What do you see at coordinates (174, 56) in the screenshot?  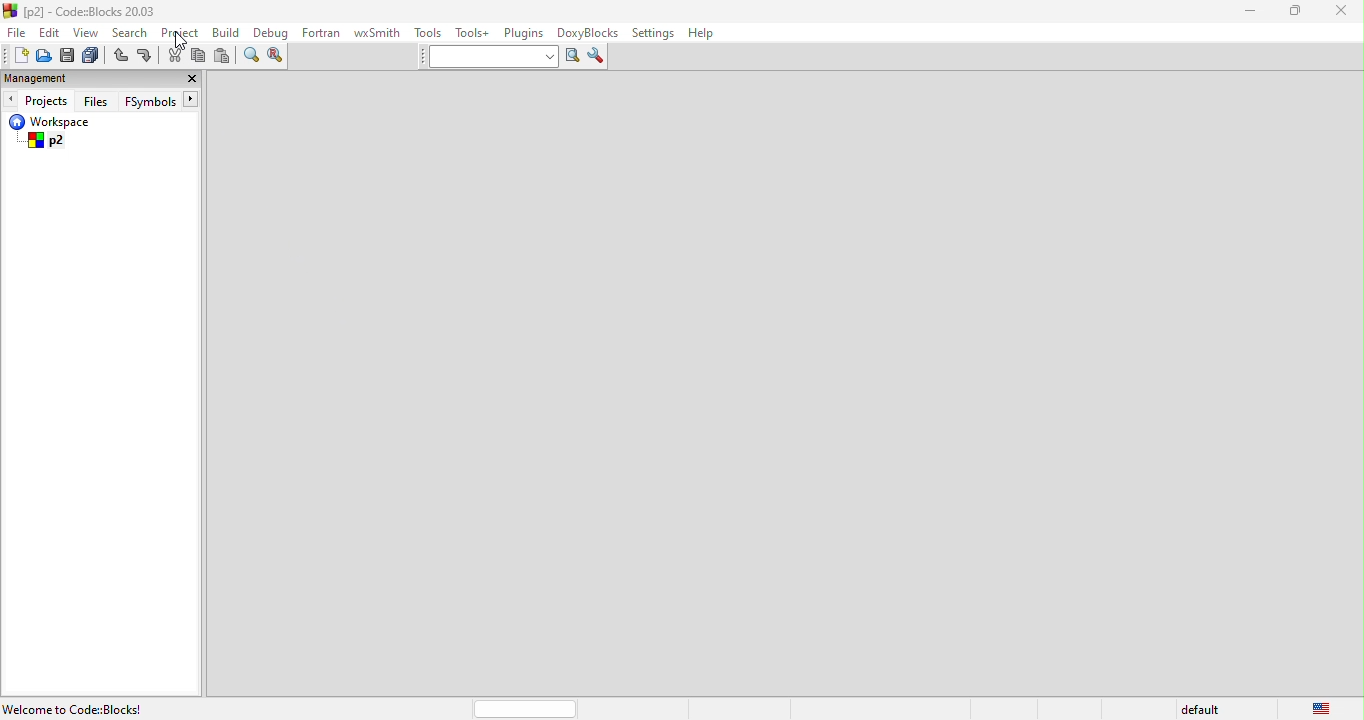 I see `cut` at bounding box center [174, 56].